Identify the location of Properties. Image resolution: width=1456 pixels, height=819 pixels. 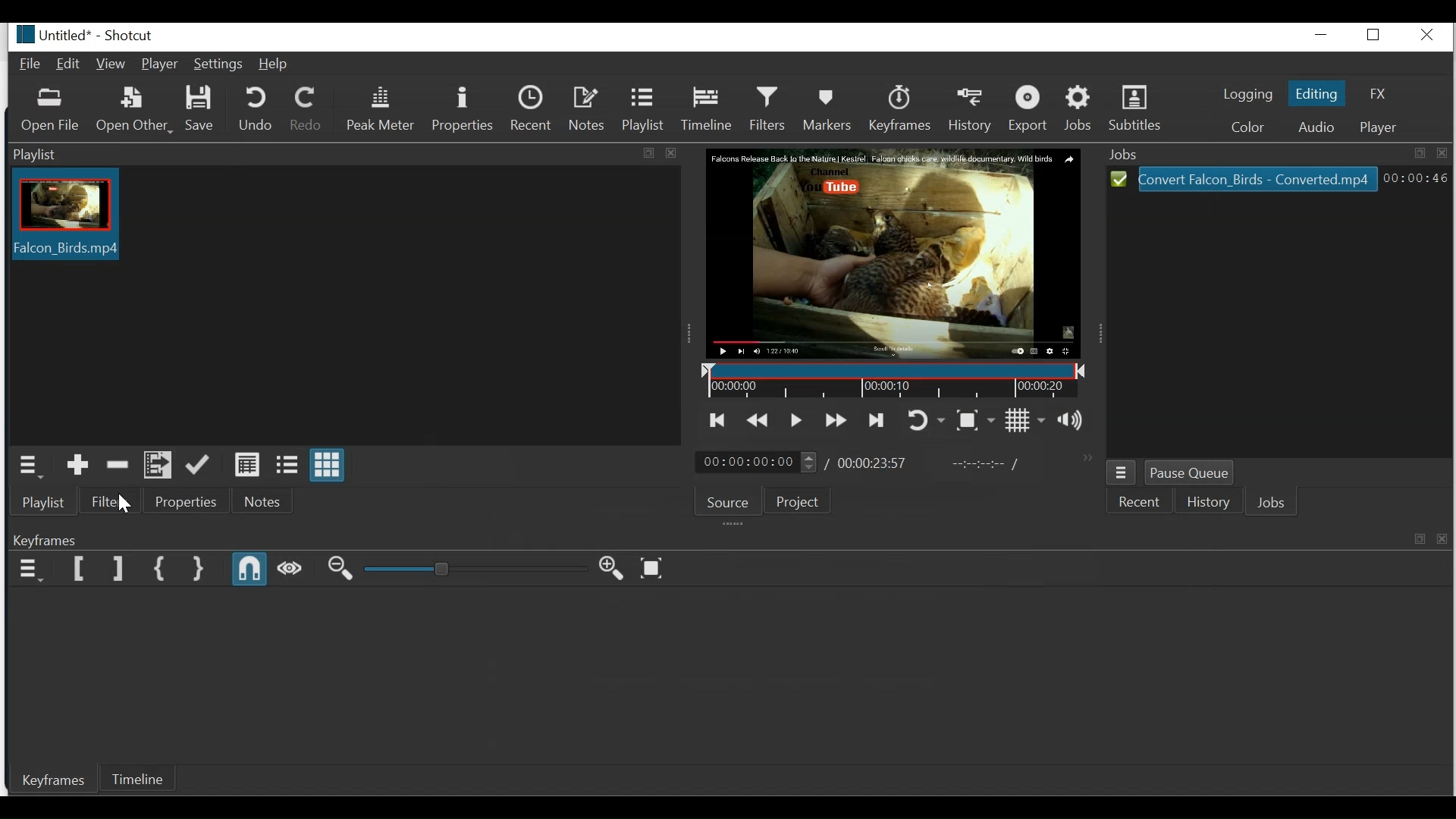
(461, 108).